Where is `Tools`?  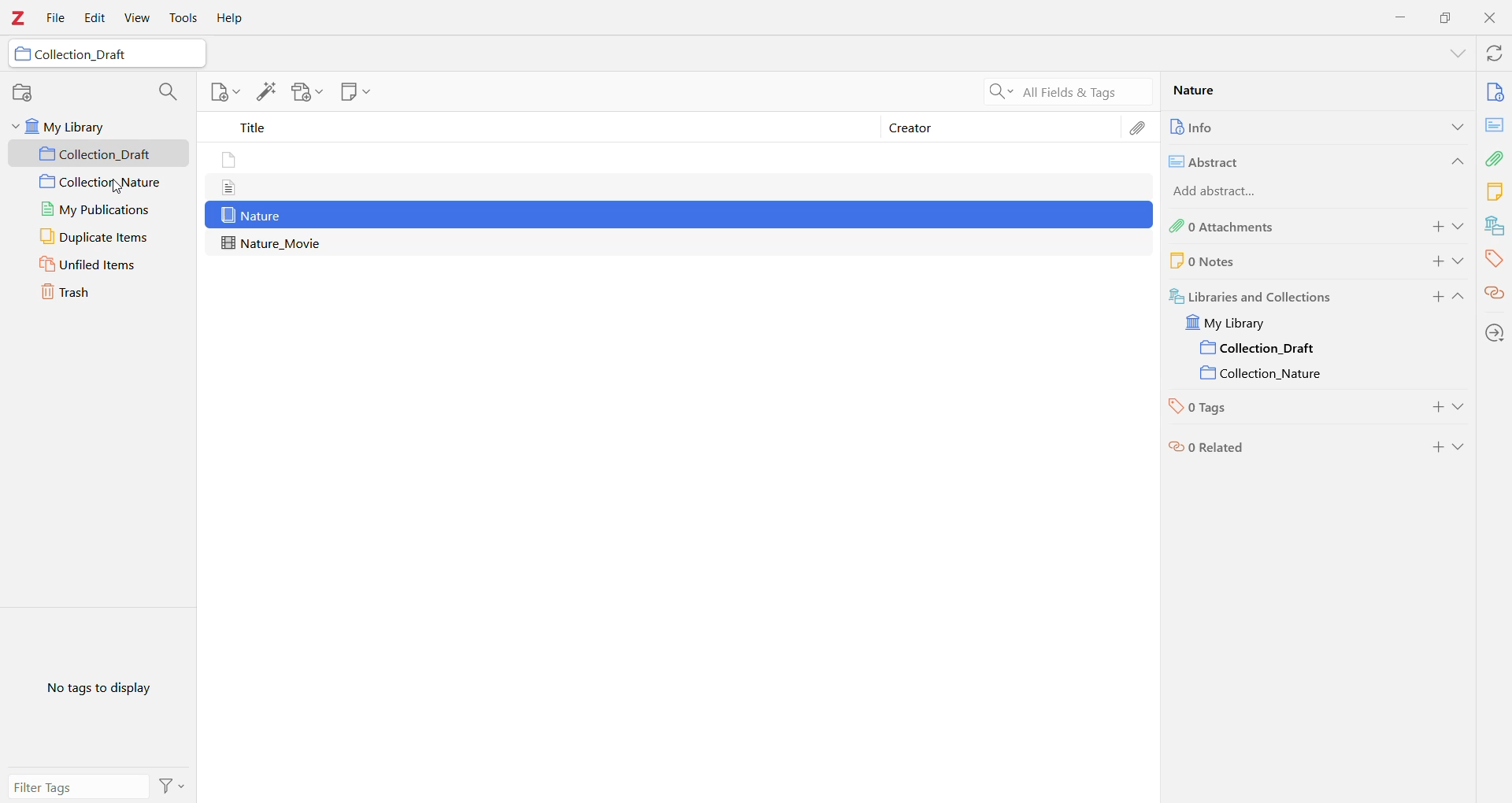
Tools is located at coordinates (183, 18).